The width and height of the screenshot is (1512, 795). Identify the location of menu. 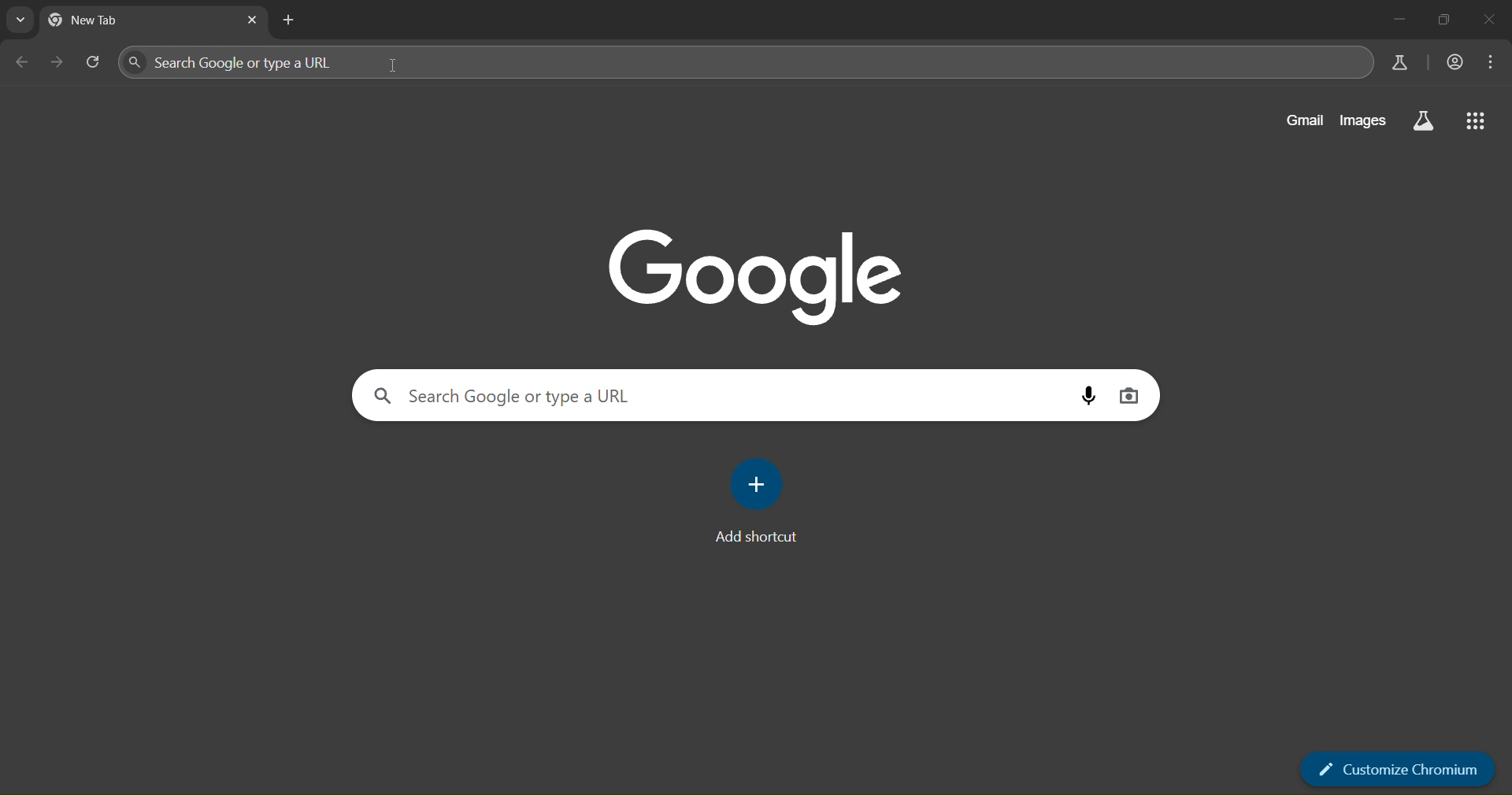
(1492, 62).